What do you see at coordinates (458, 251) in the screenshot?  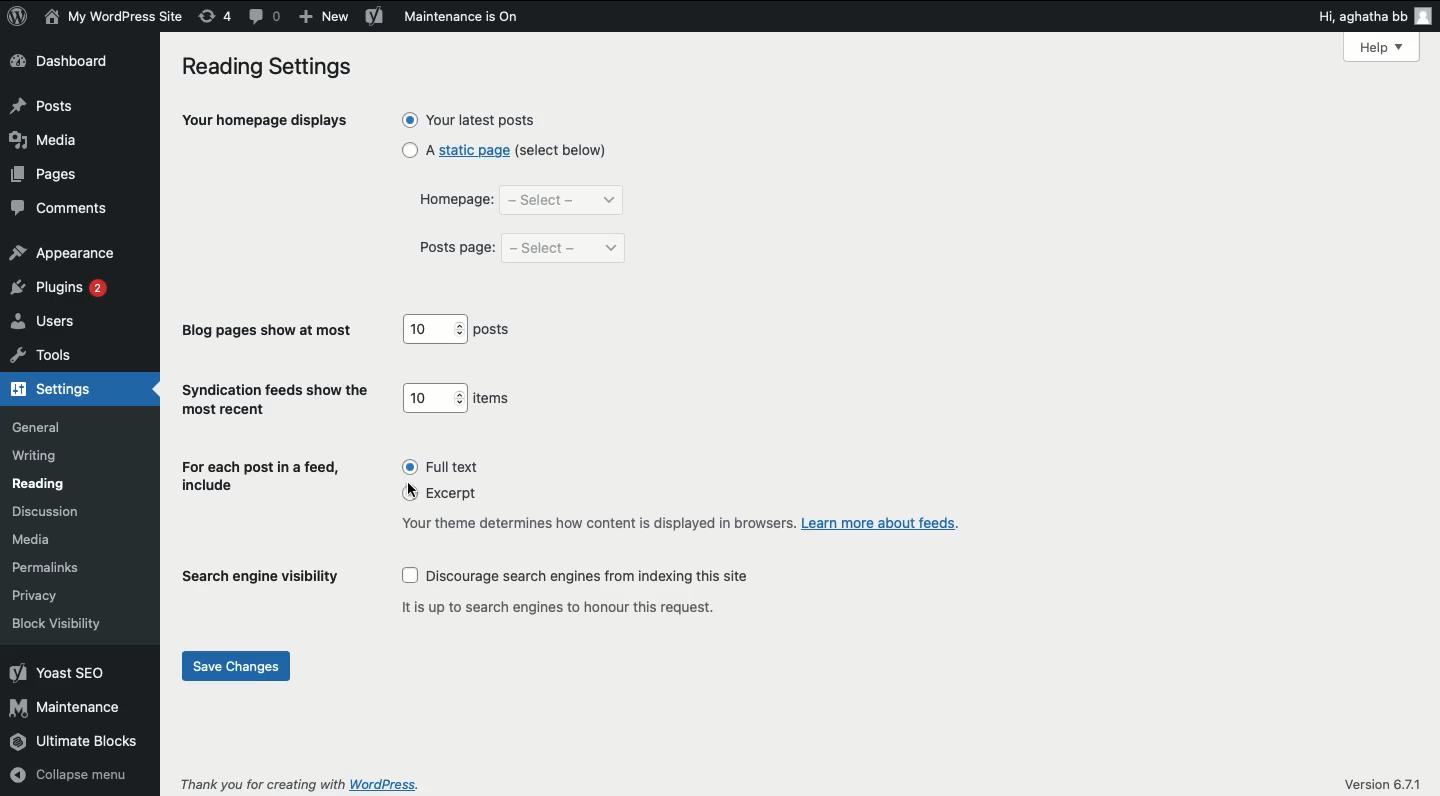 I see `posts page` at bounding box center [458, 251].